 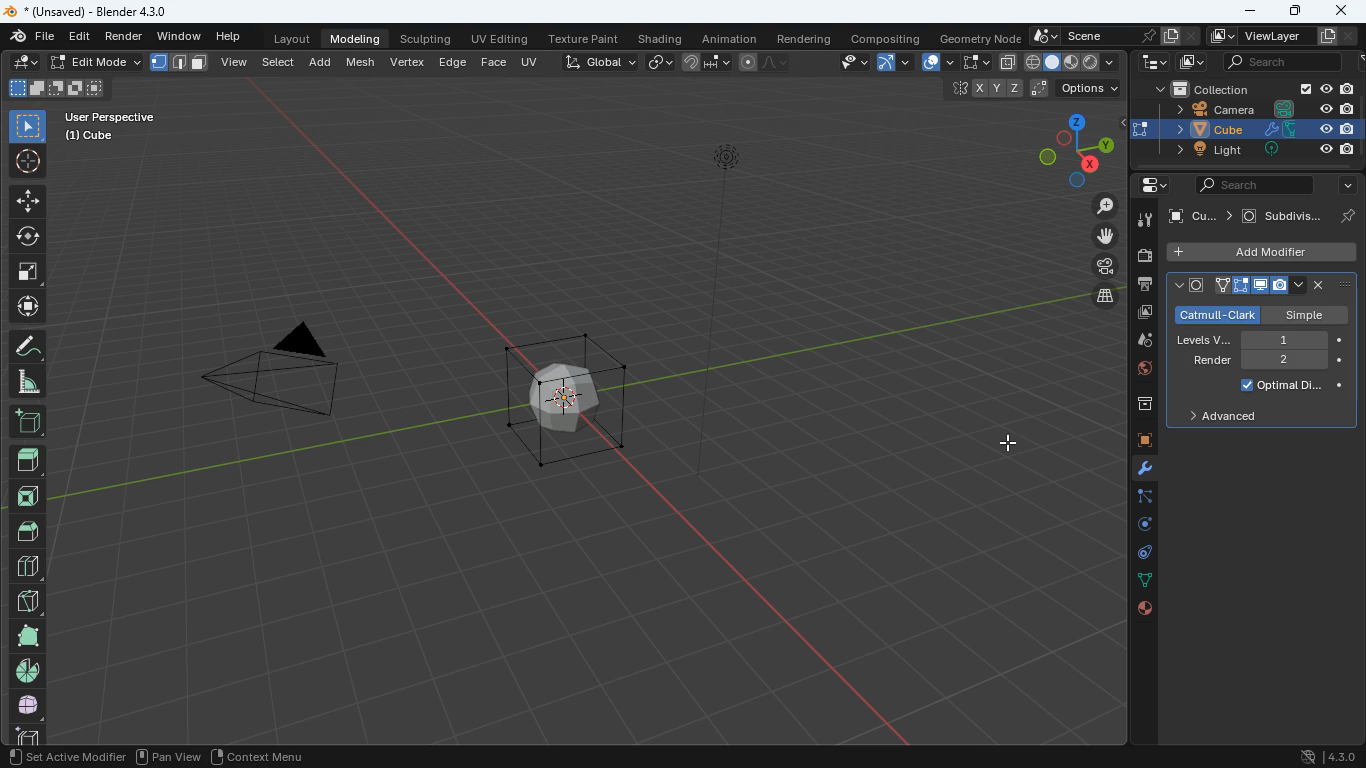 What do you see at coordinates (1250, 110) in the screenshot?
I see `camera` at bounding box center [1250, 110].